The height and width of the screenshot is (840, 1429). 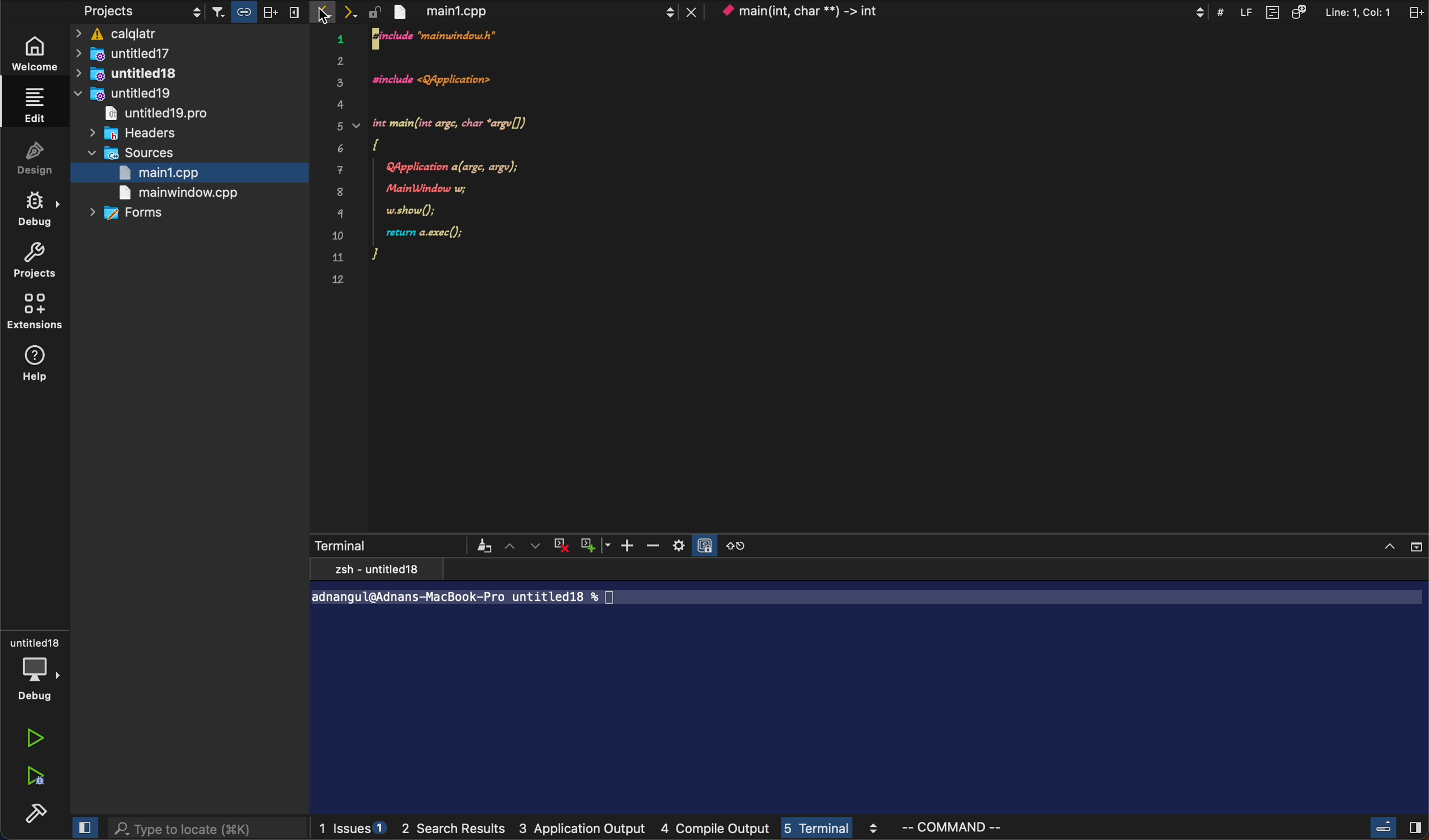 I want to click on setting, so click(x=695, y=545).